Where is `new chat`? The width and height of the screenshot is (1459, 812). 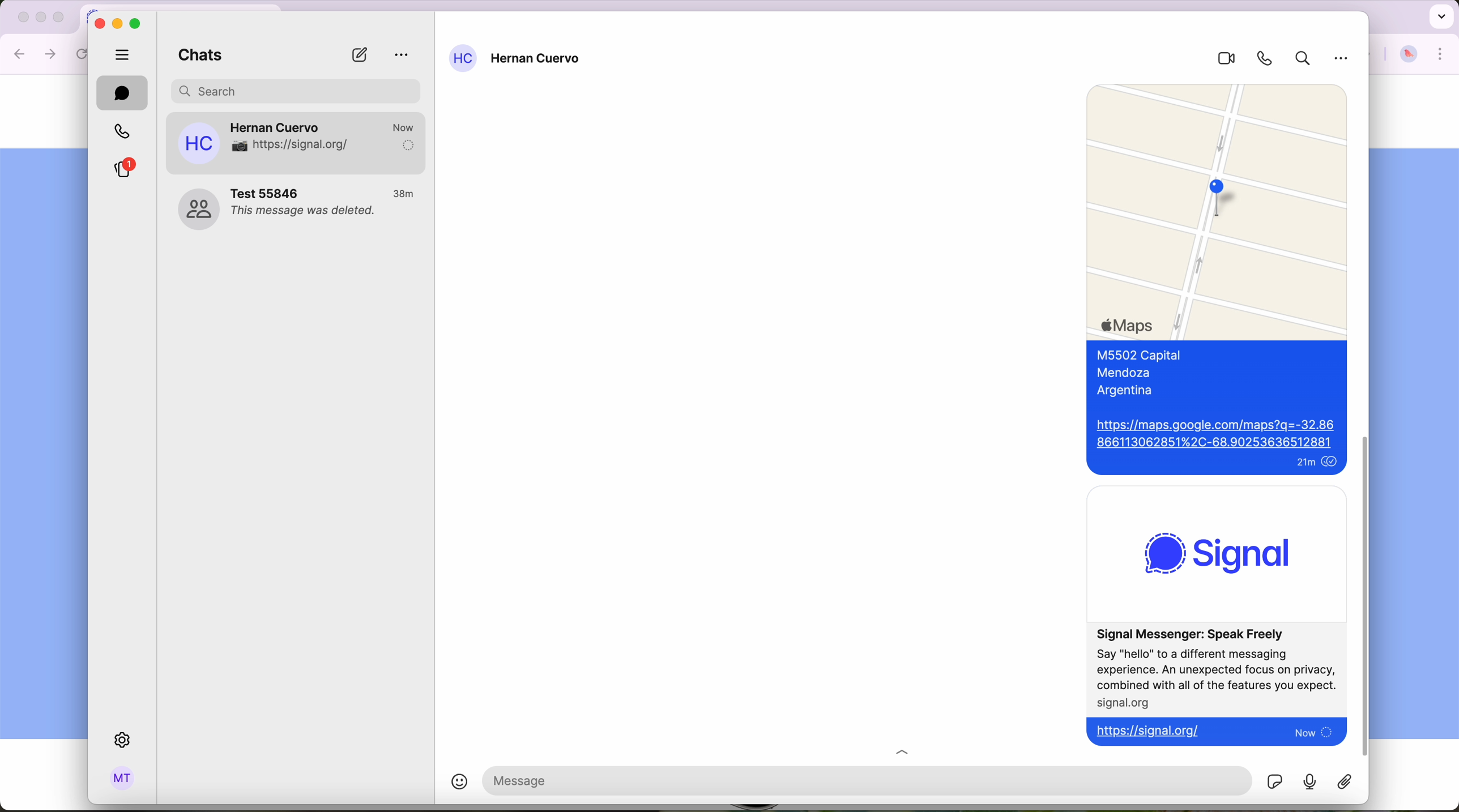 new chat is located at coordinates (359, 55).